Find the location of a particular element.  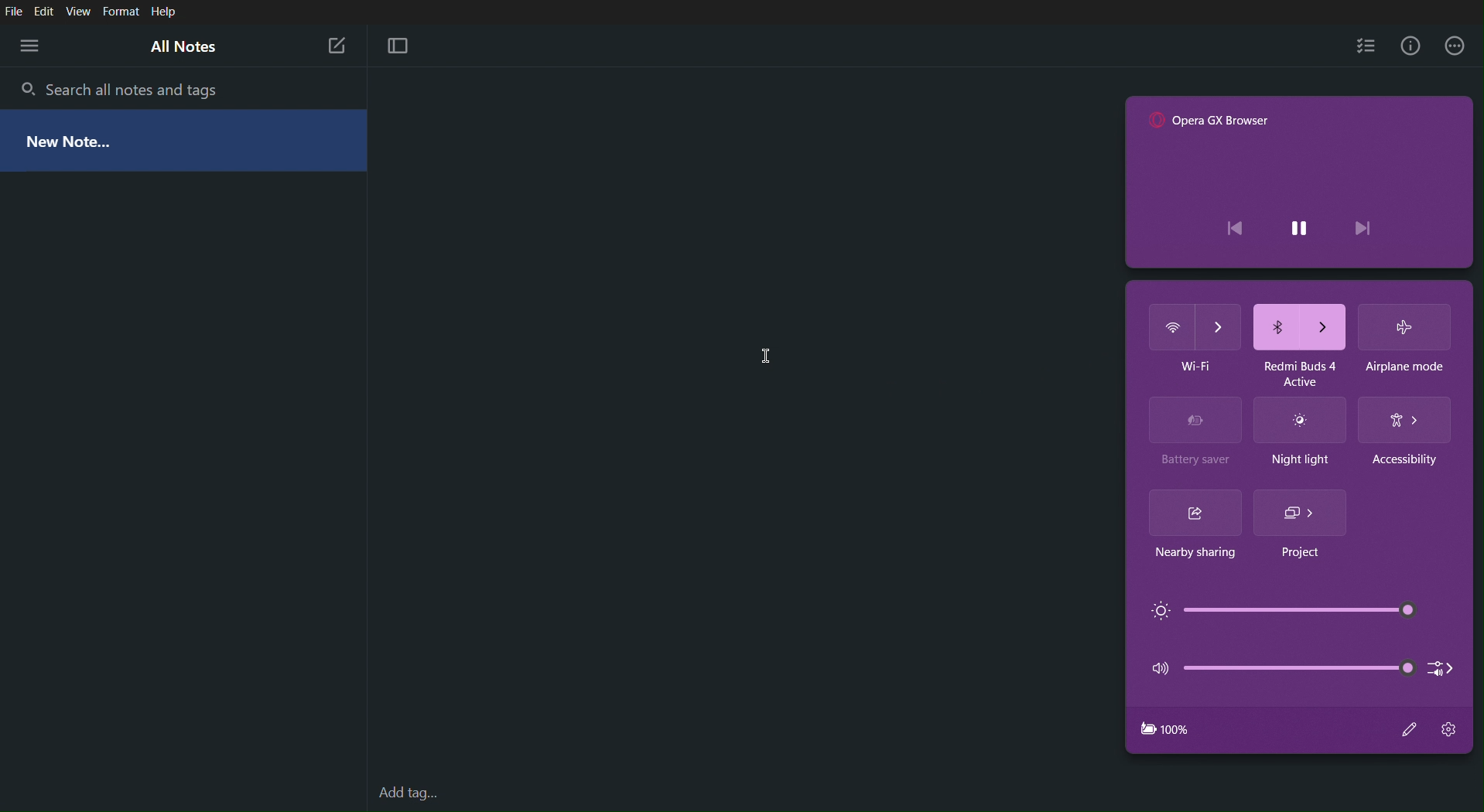

View is located at coordinates (80, 12).